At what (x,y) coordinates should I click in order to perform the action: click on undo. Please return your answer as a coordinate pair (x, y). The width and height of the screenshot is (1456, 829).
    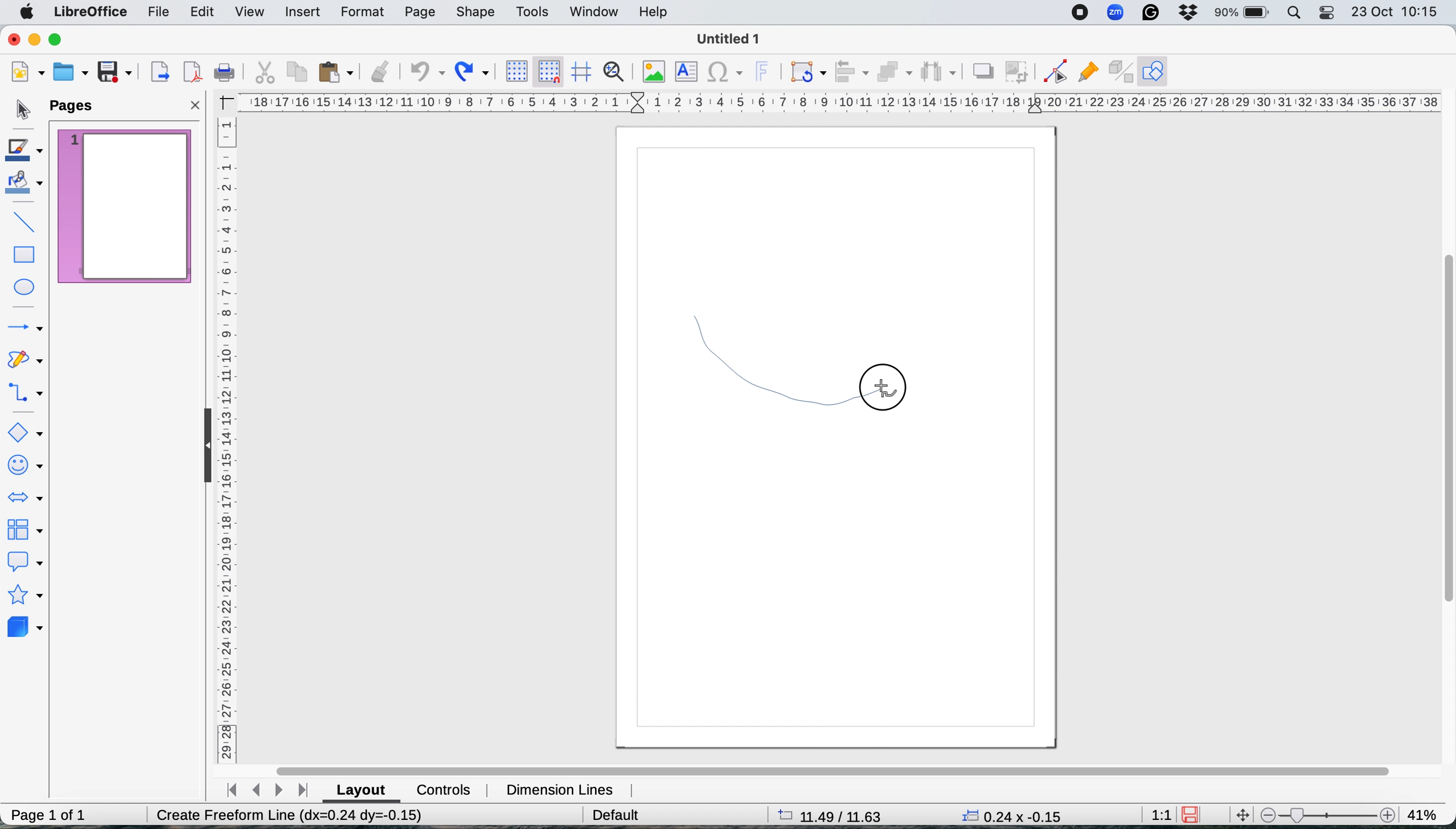
    Looking at the image, I should click on (427, 73).